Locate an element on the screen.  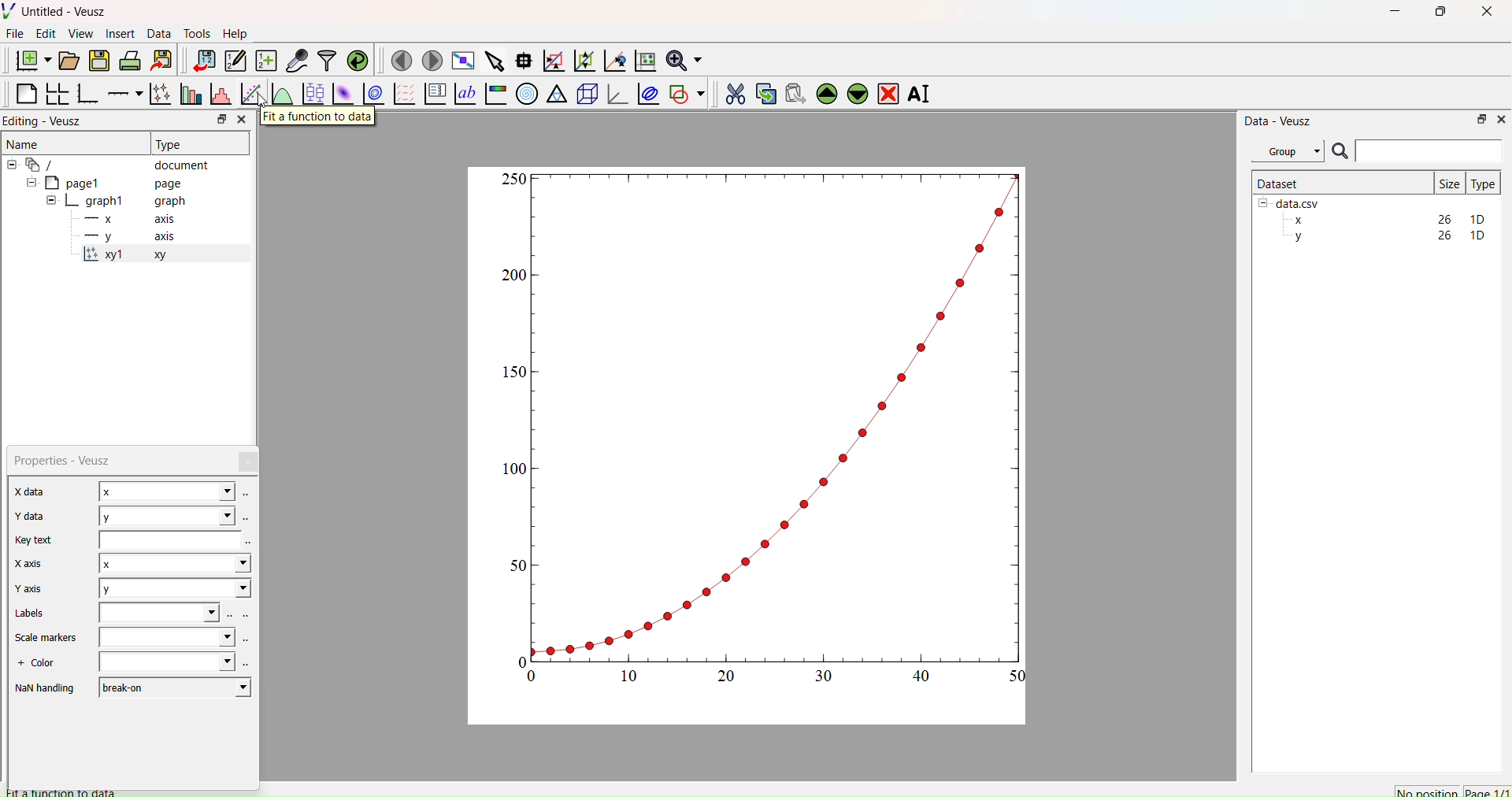
Select using dataset browser is located at coordinates (250, 495).